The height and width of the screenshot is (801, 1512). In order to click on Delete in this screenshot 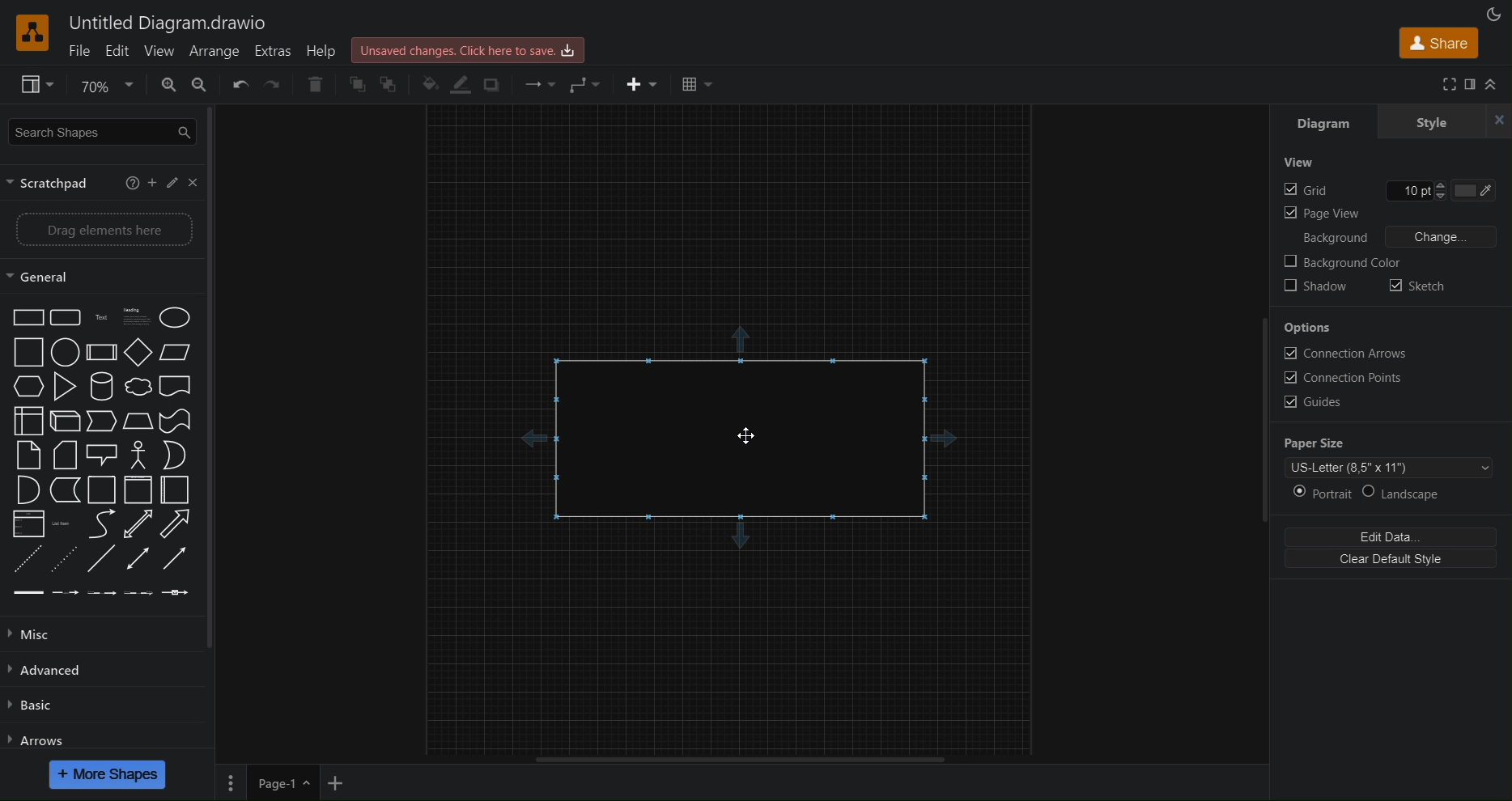, I will do `click(313, 87)`.